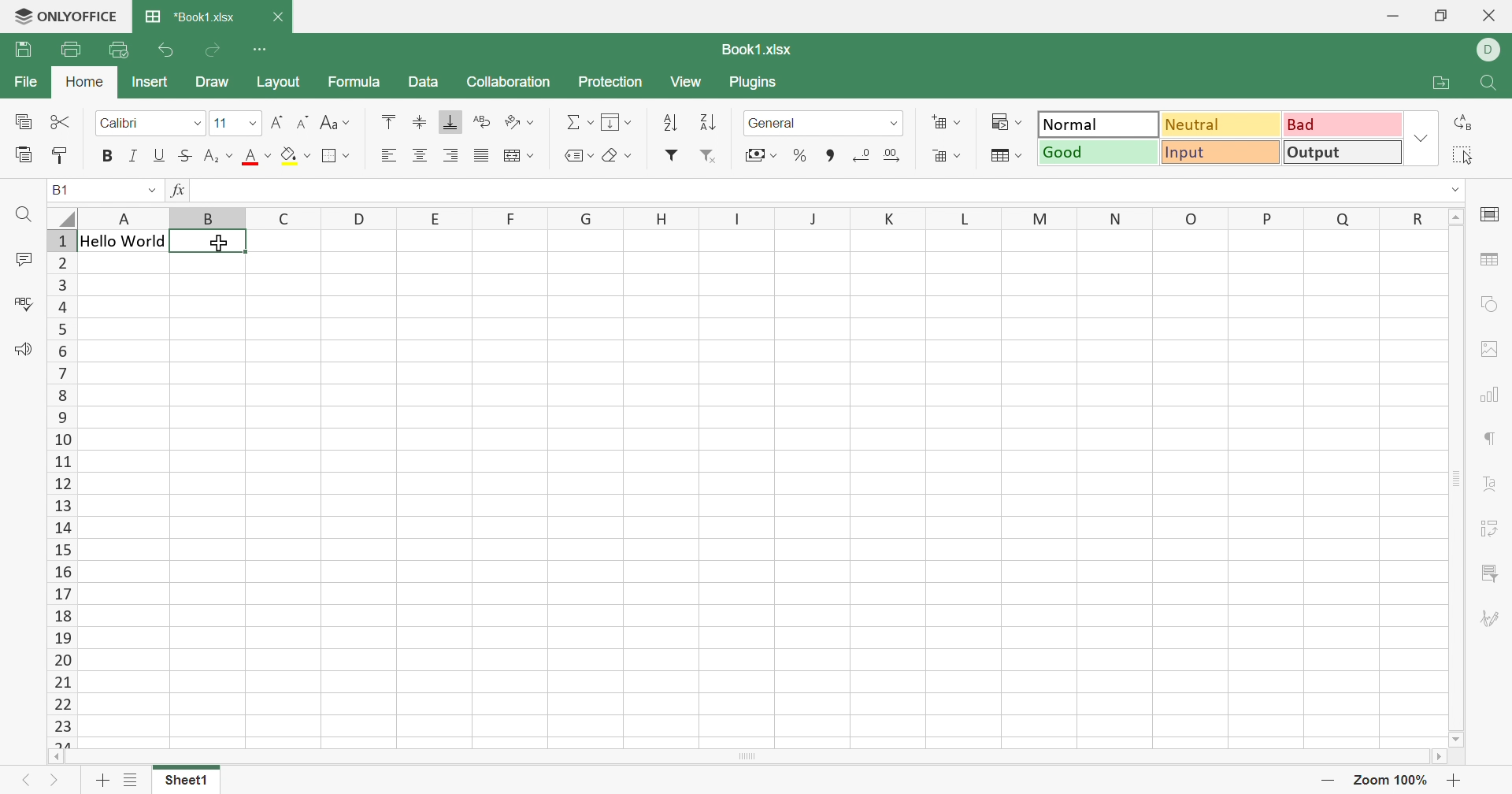  I want to click on Find, so click(1493, 84).